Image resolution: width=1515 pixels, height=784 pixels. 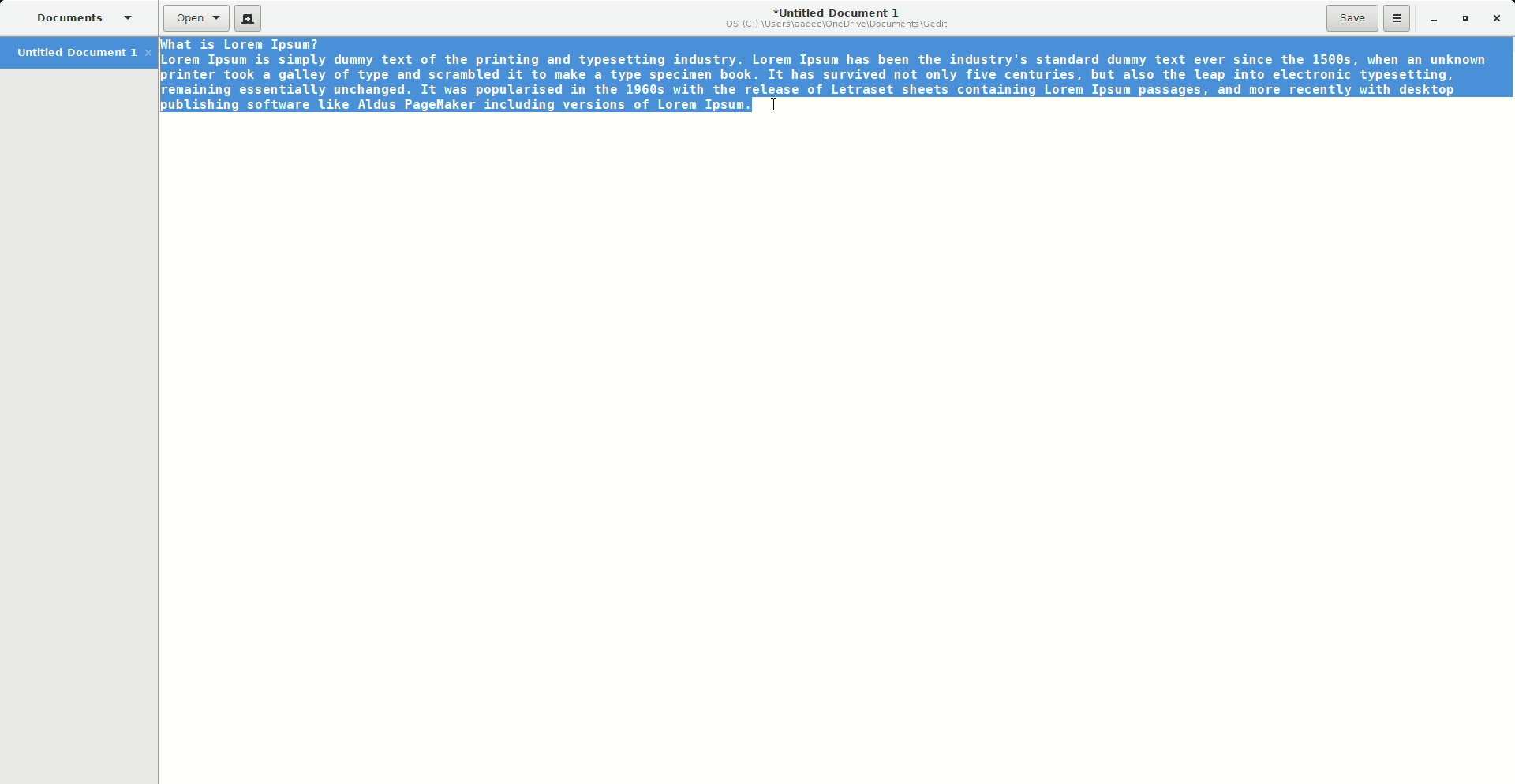 I want to click on Documents, so click(x=82, y=17).